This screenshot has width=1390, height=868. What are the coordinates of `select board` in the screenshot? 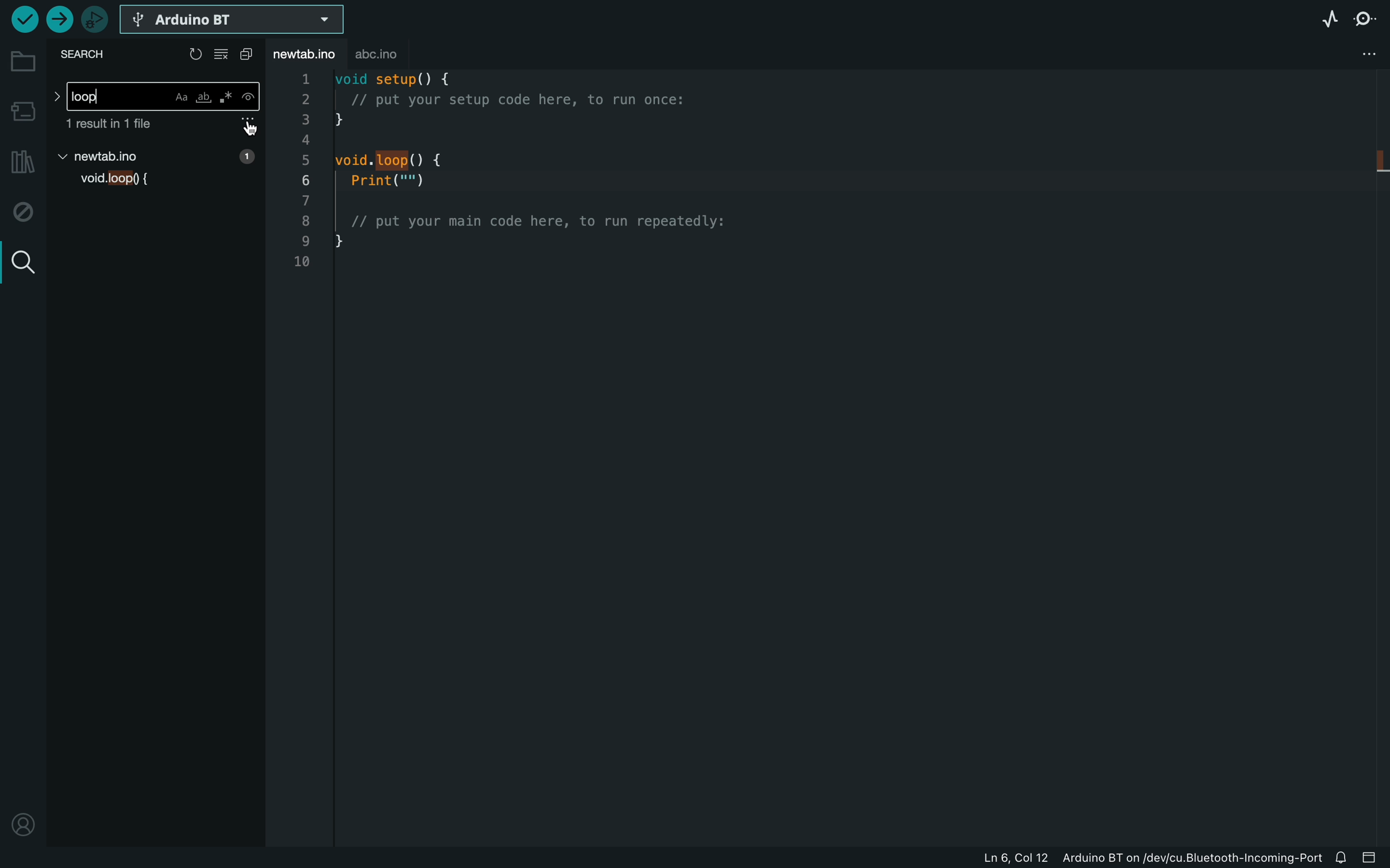 It's located at (232, 21).